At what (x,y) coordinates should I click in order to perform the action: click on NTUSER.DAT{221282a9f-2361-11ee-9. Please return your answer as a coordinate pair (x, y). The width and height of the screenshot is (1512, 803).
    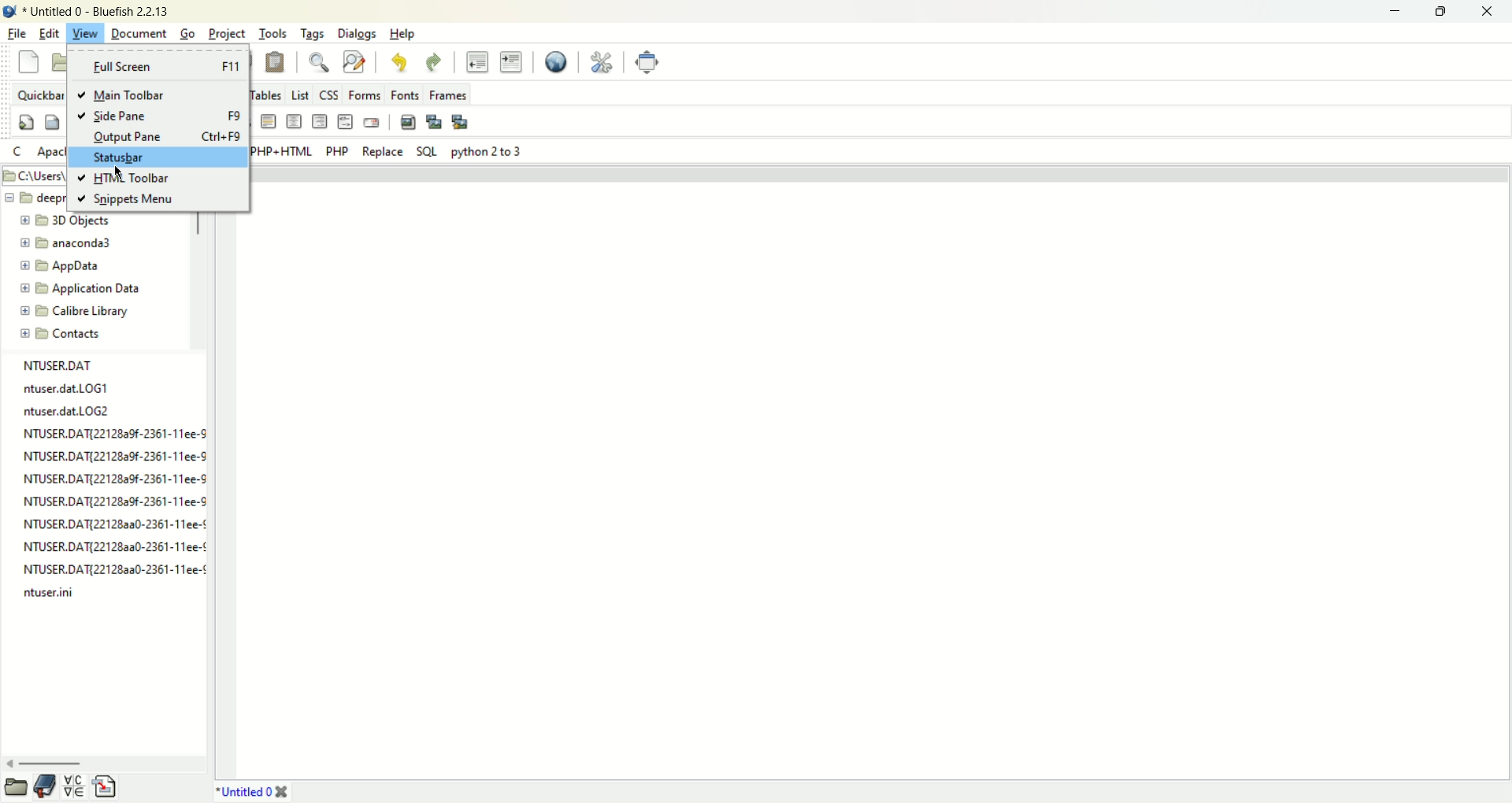
    Looking at the image, I should click on (115, 478).